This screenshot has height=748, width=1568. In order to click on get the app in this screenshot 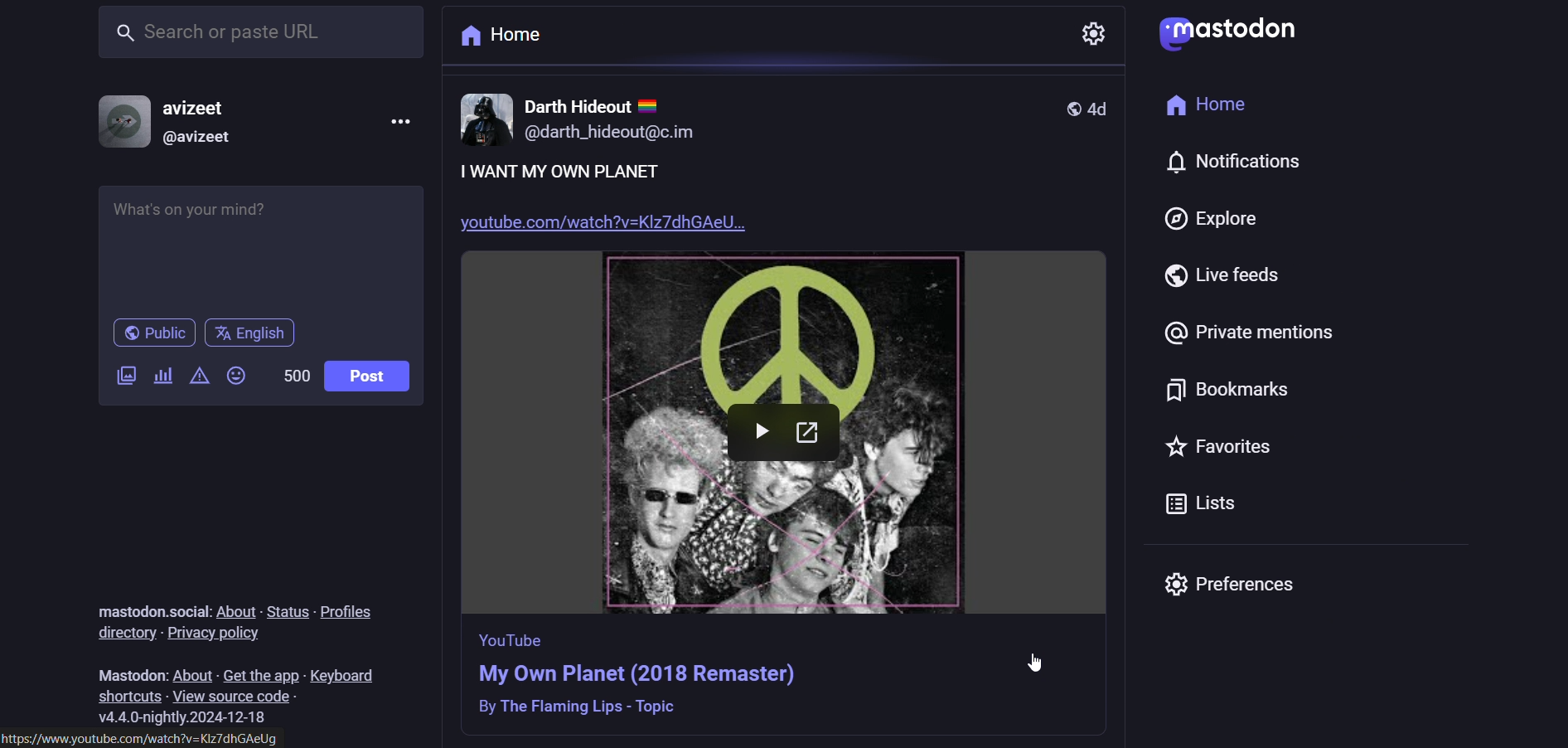, I will do `click(259, 669)`.